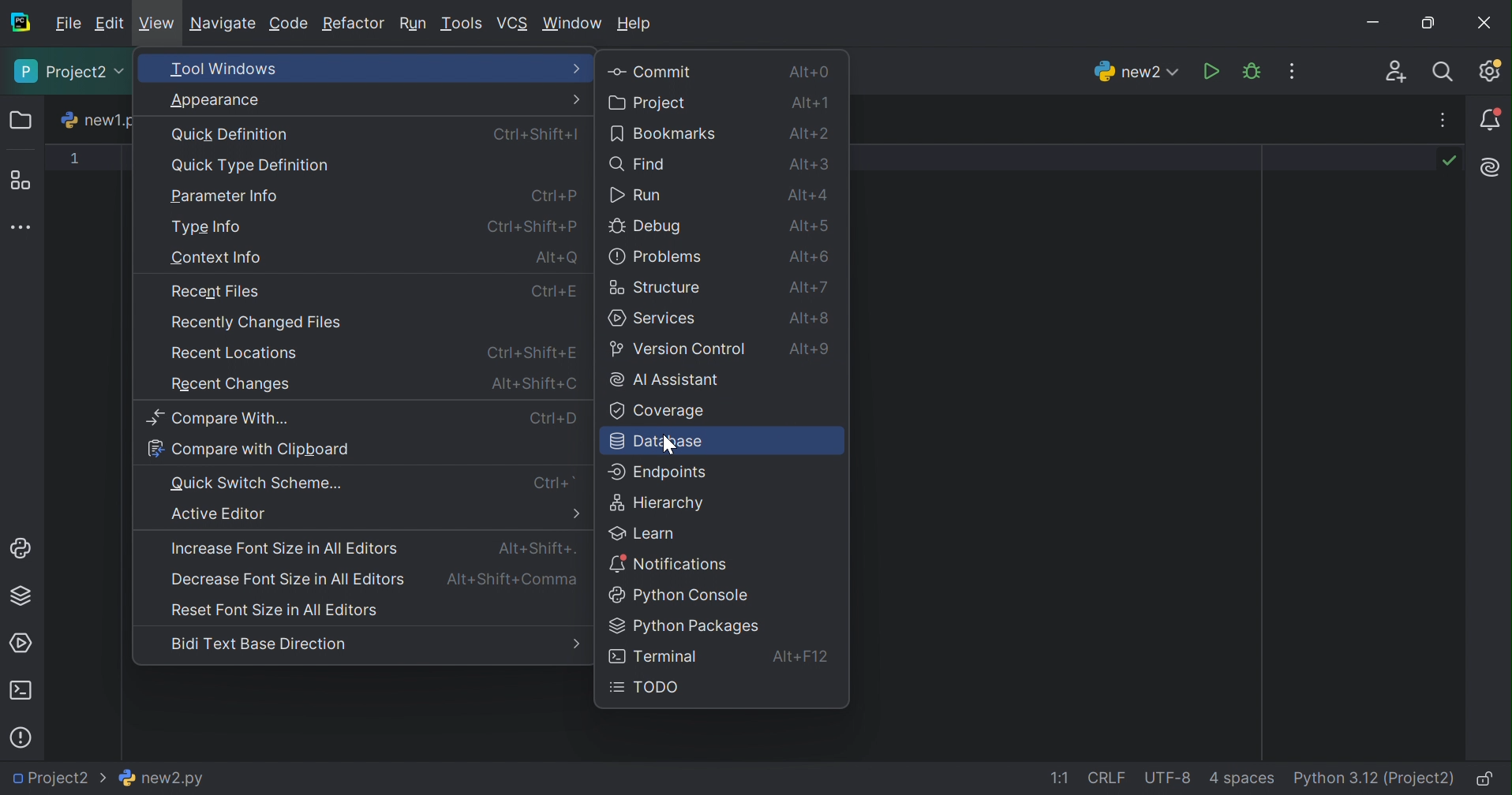  Describe the element at coordinates (680, 349) in the screenshot. I see `Version control` at that location.